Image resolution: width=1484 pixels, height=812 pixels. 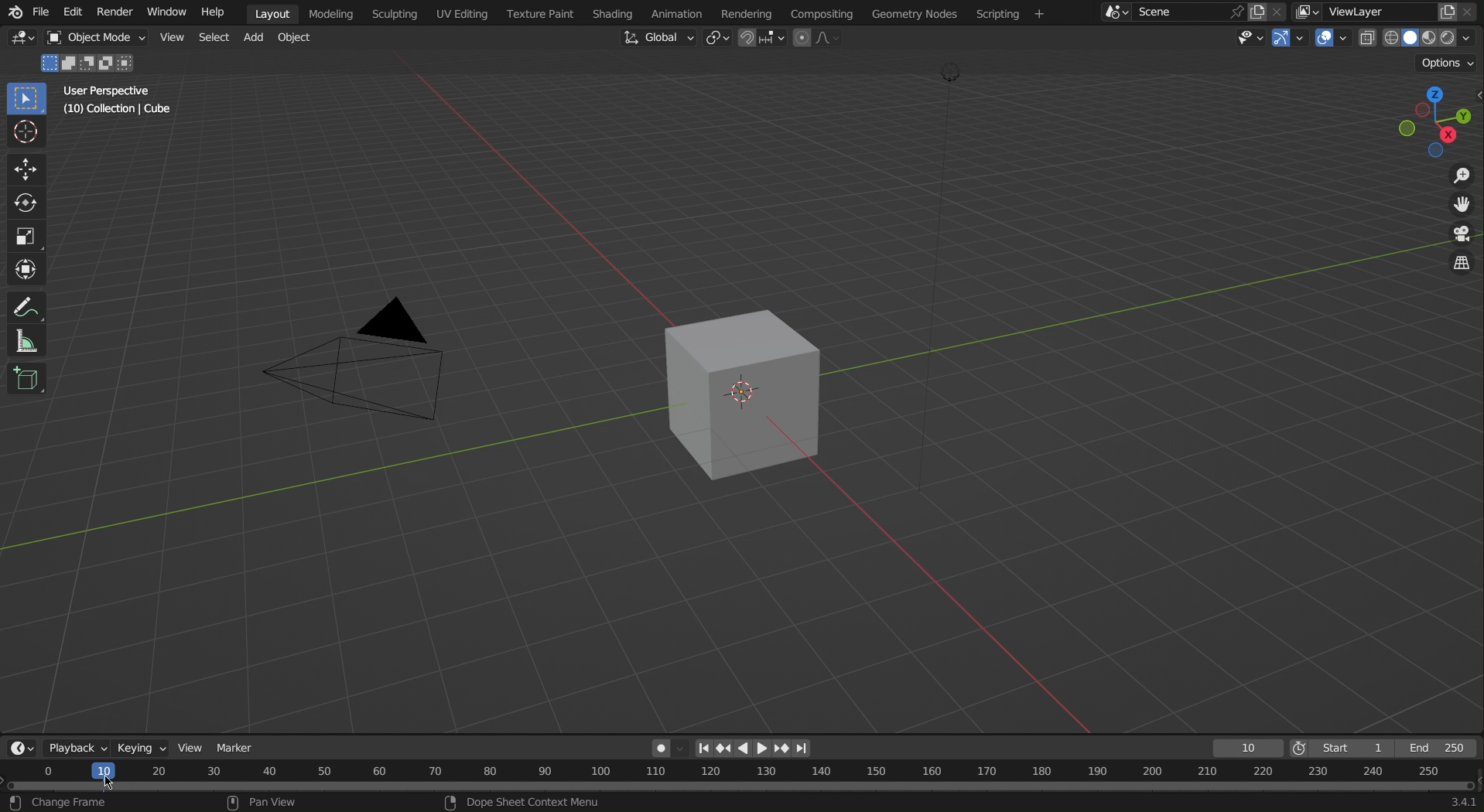 What do you see at coordinates (23, 306) in the screenshot?
I see `Annotate` at bounding box center [23, 306].